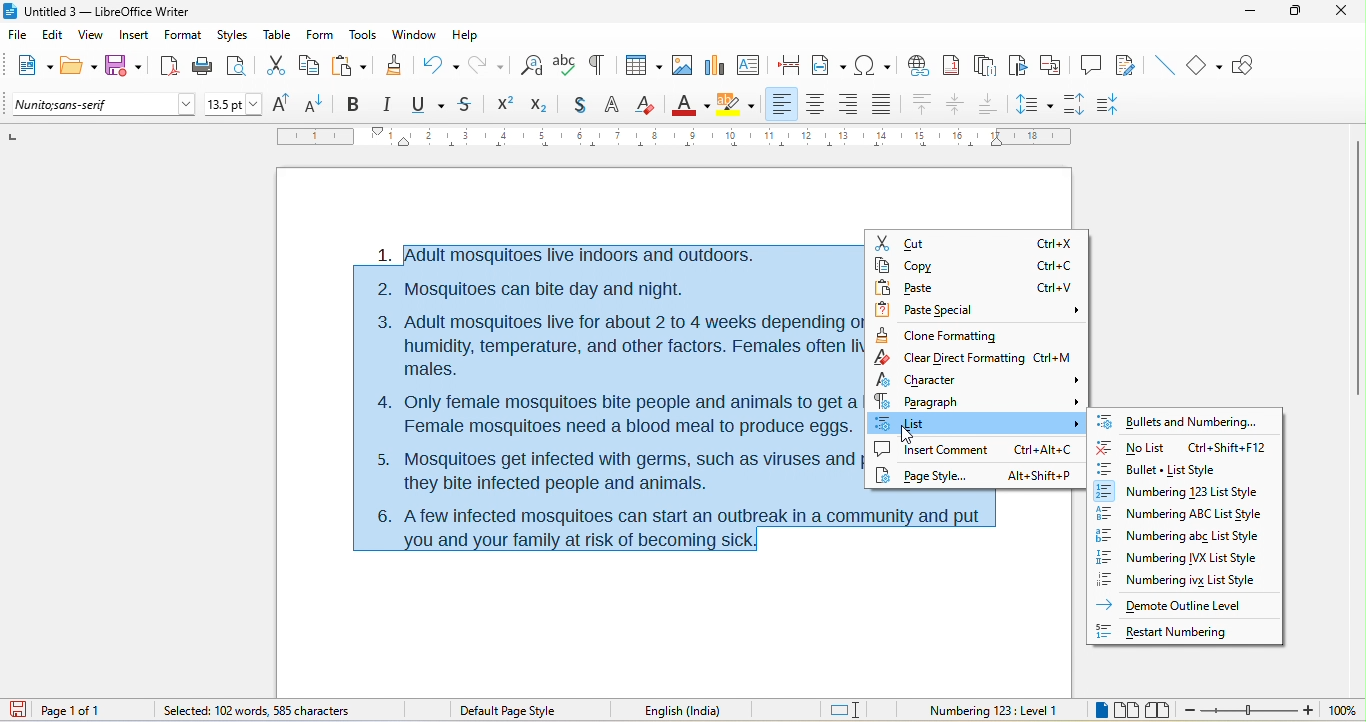  What do you see at coordinates (241, 64) in the screenshot?
I see `print preview` at bounding box center [241, 64].